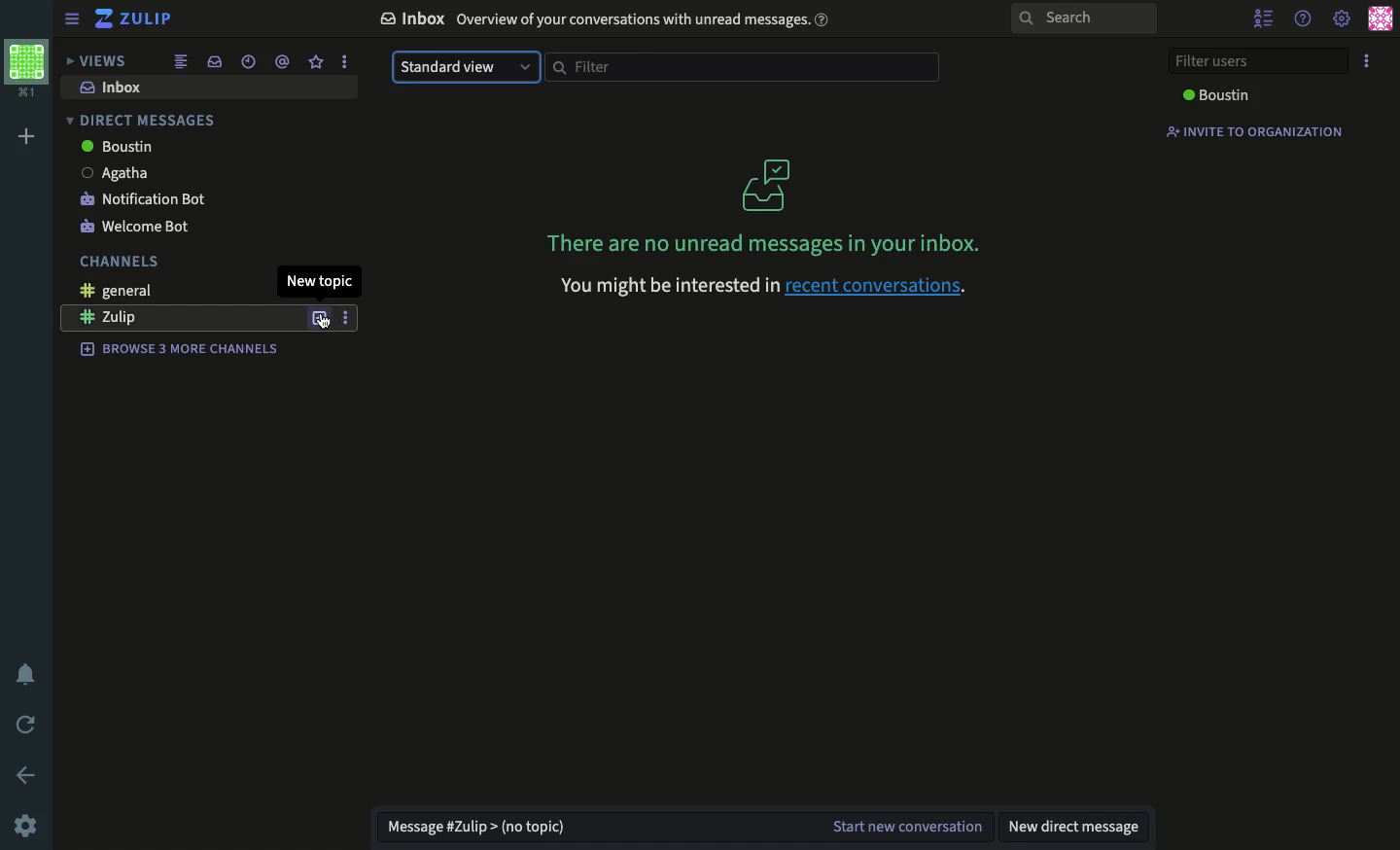 The width and height of the screenshot is (1400, 850). I want to click on direct messages, so click(139, 120).